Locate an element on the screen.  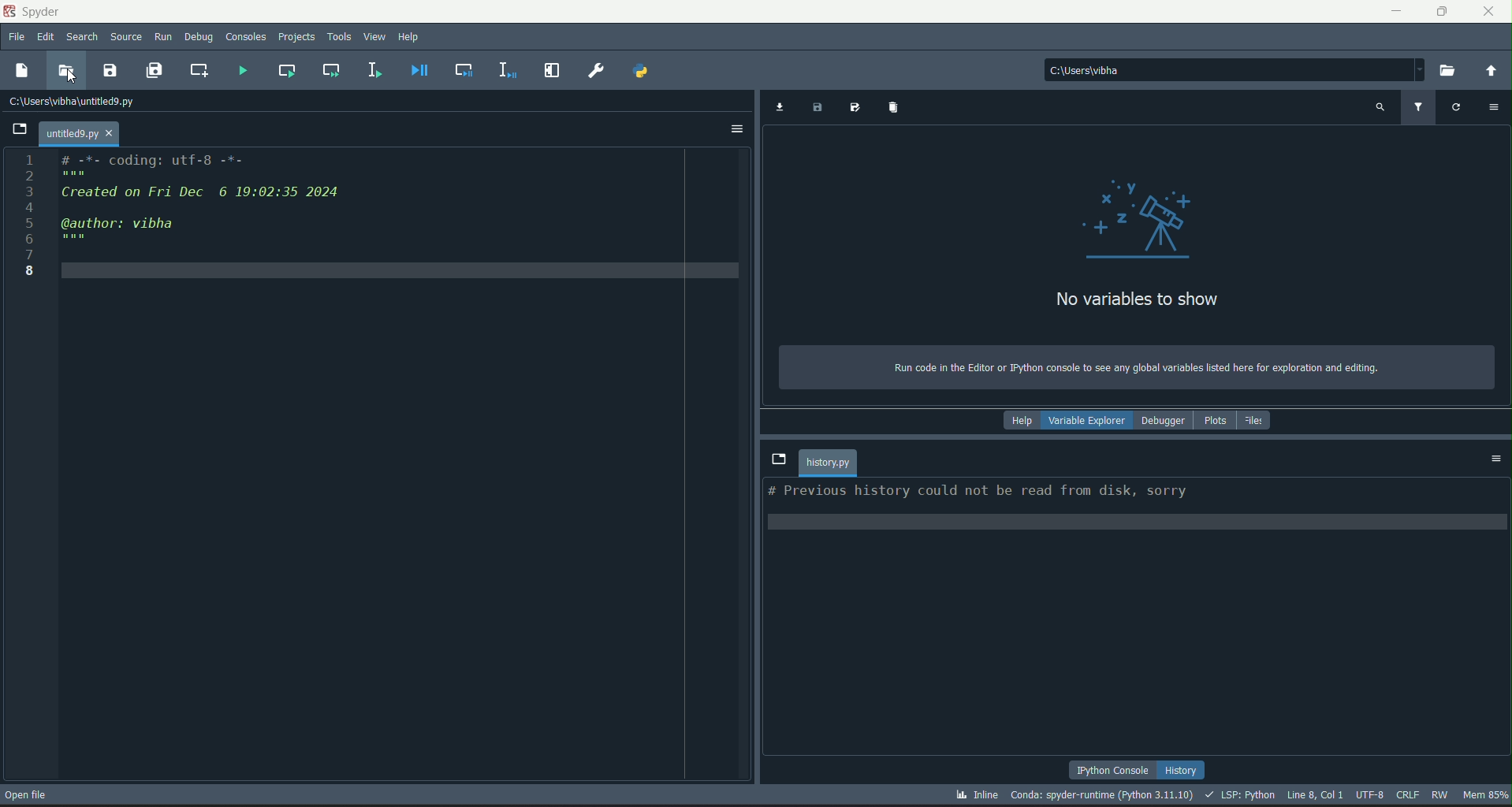
projects is located at coordinates (297, 35).